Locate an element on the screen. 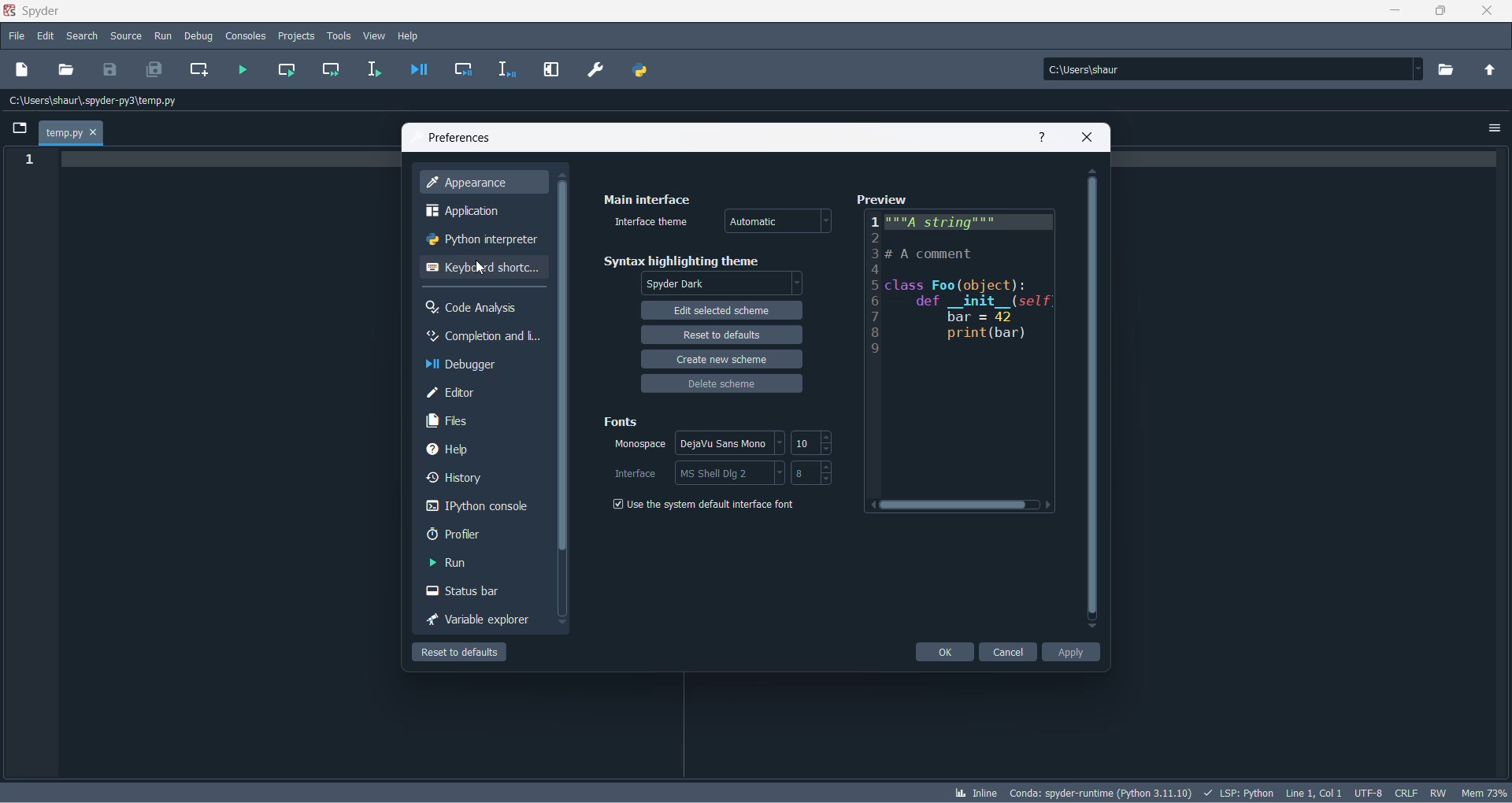  Ipython console is located at coordinates (479, 509).